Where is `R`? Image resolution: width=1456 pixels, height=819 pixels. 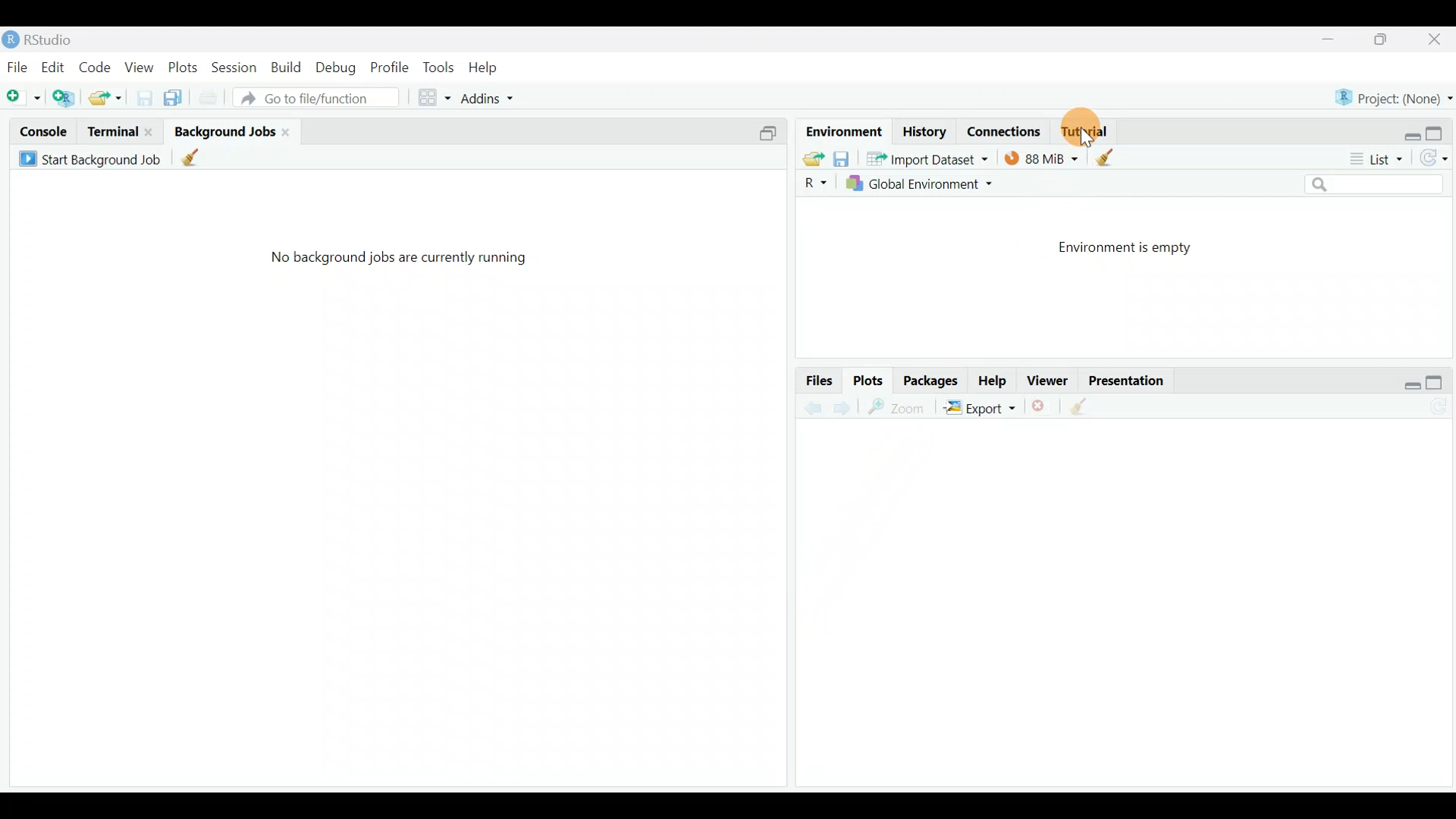
R is located at coordinates (809, 186).